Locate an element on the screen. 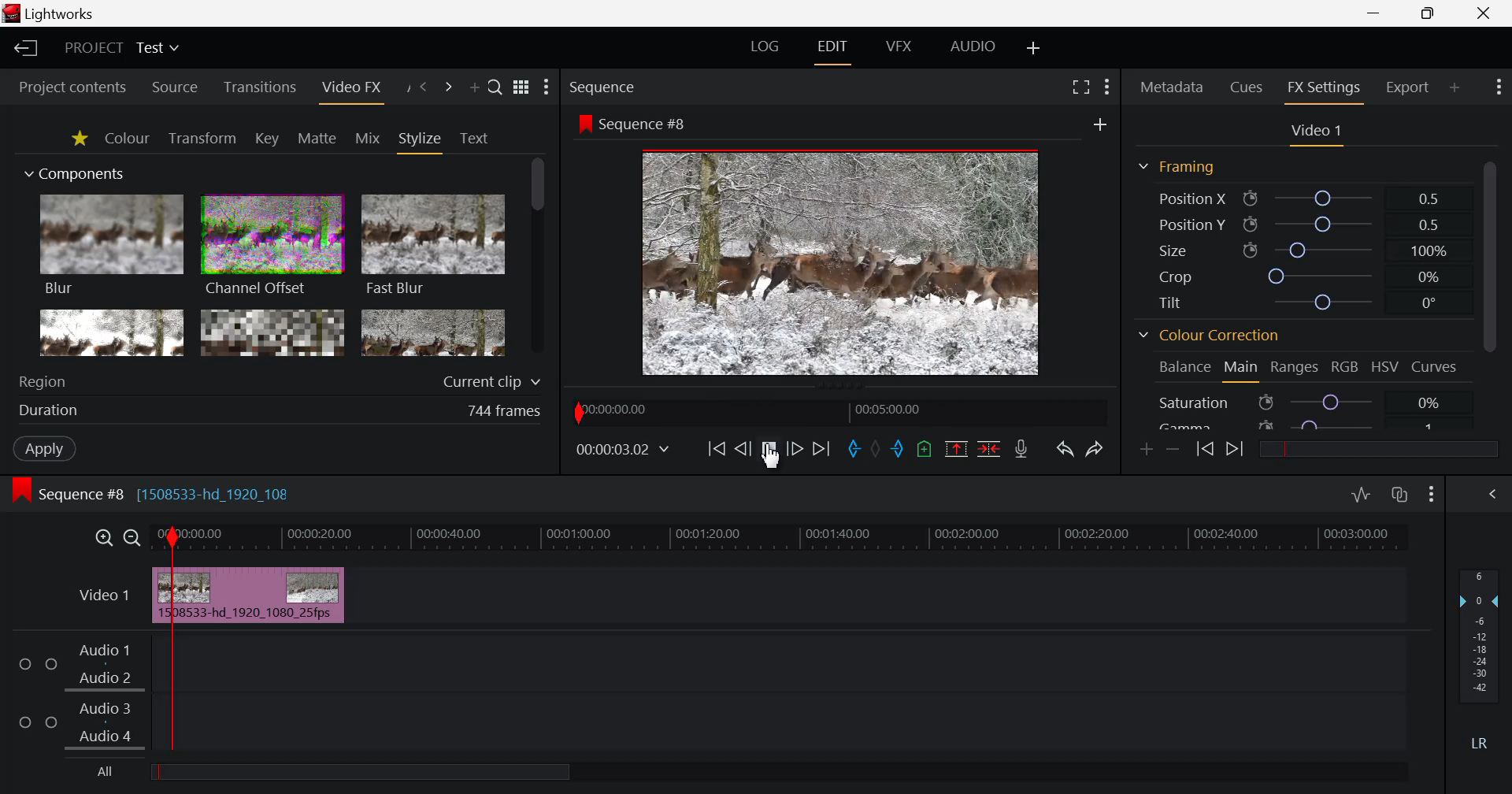  Full Screen is located at coordinates (1077, 90).